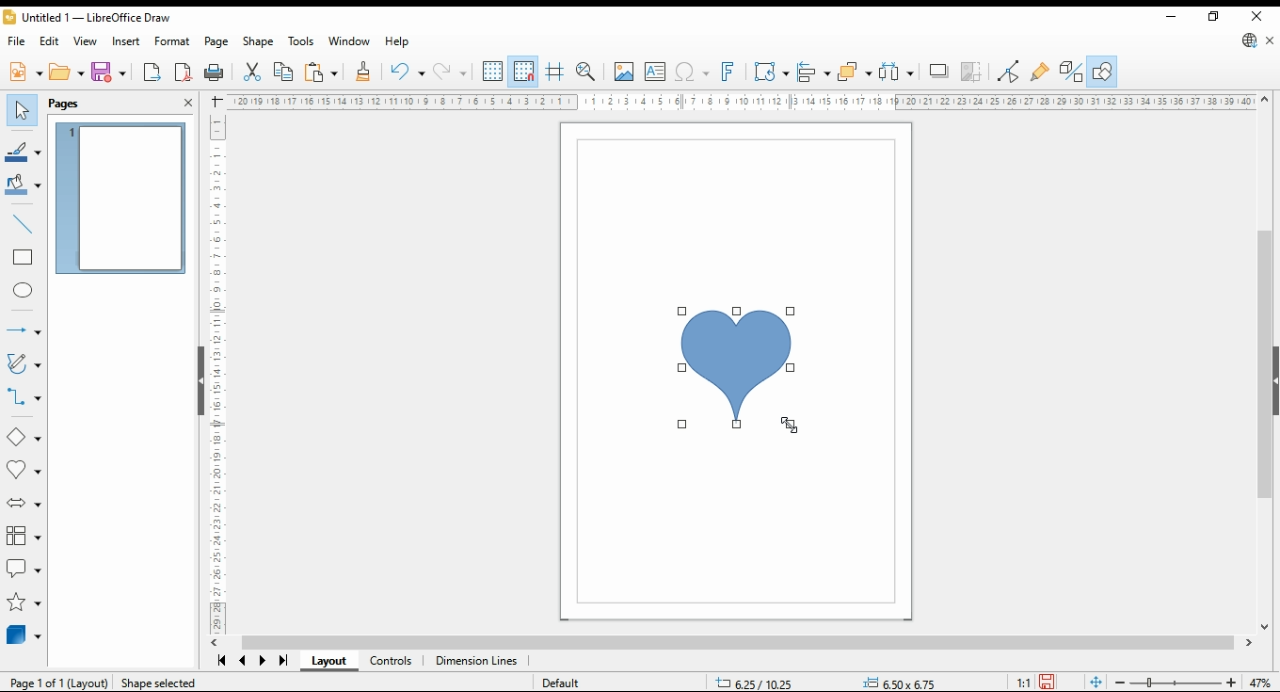  I want to click on connectors and , so click(23, 399).